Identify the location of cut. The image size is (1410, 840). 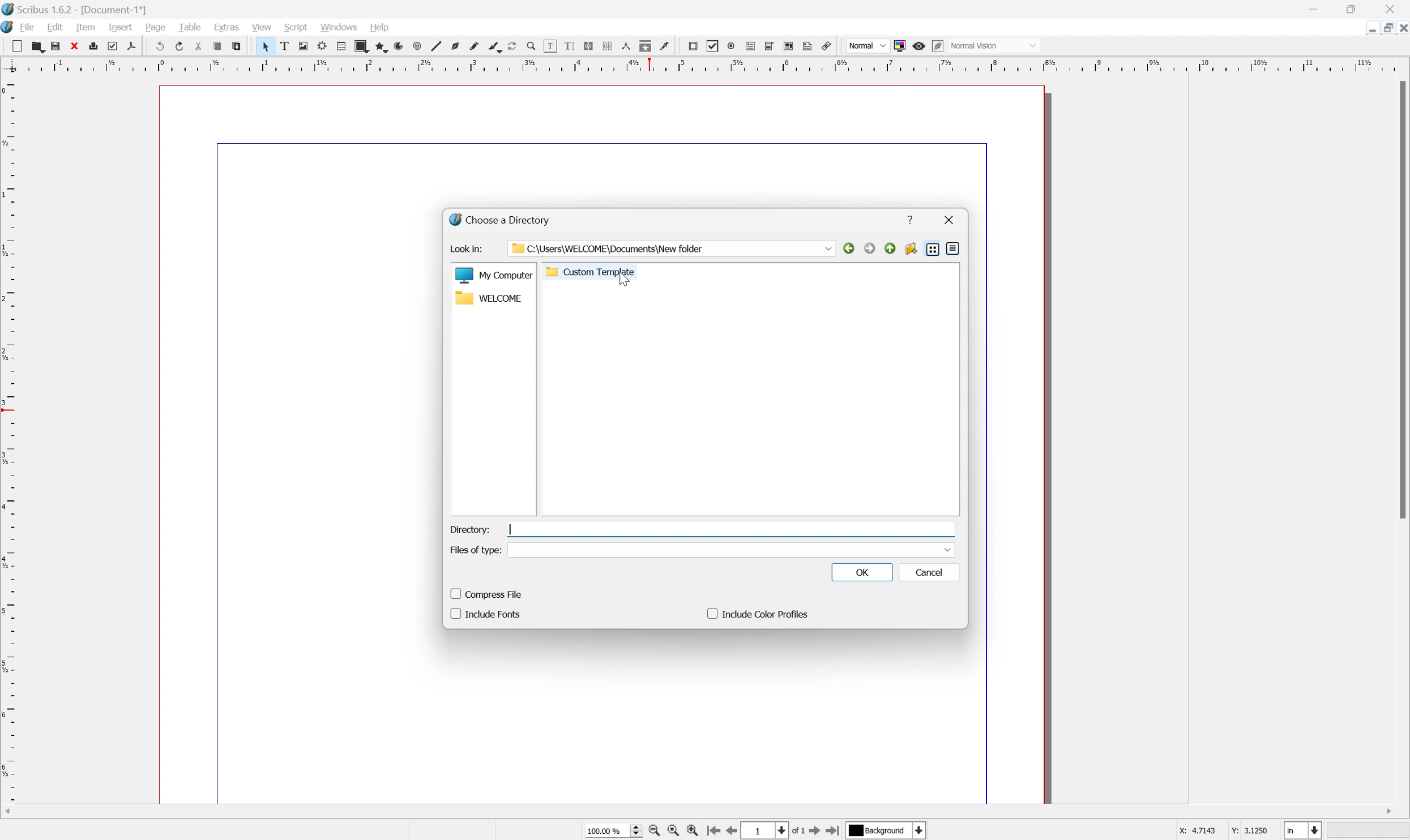
(195, 47).